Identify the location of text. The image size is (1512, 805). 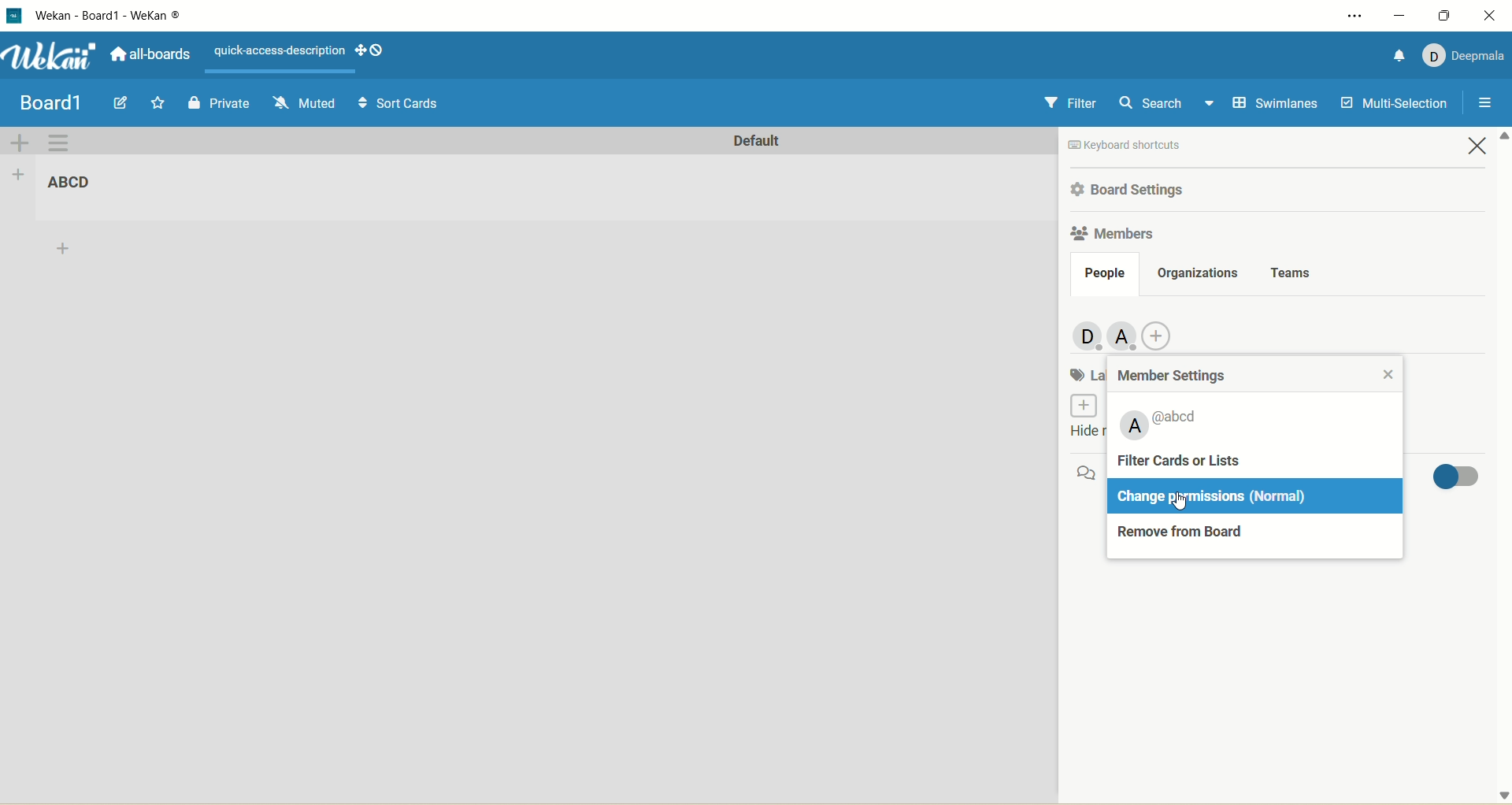
(276, 49).